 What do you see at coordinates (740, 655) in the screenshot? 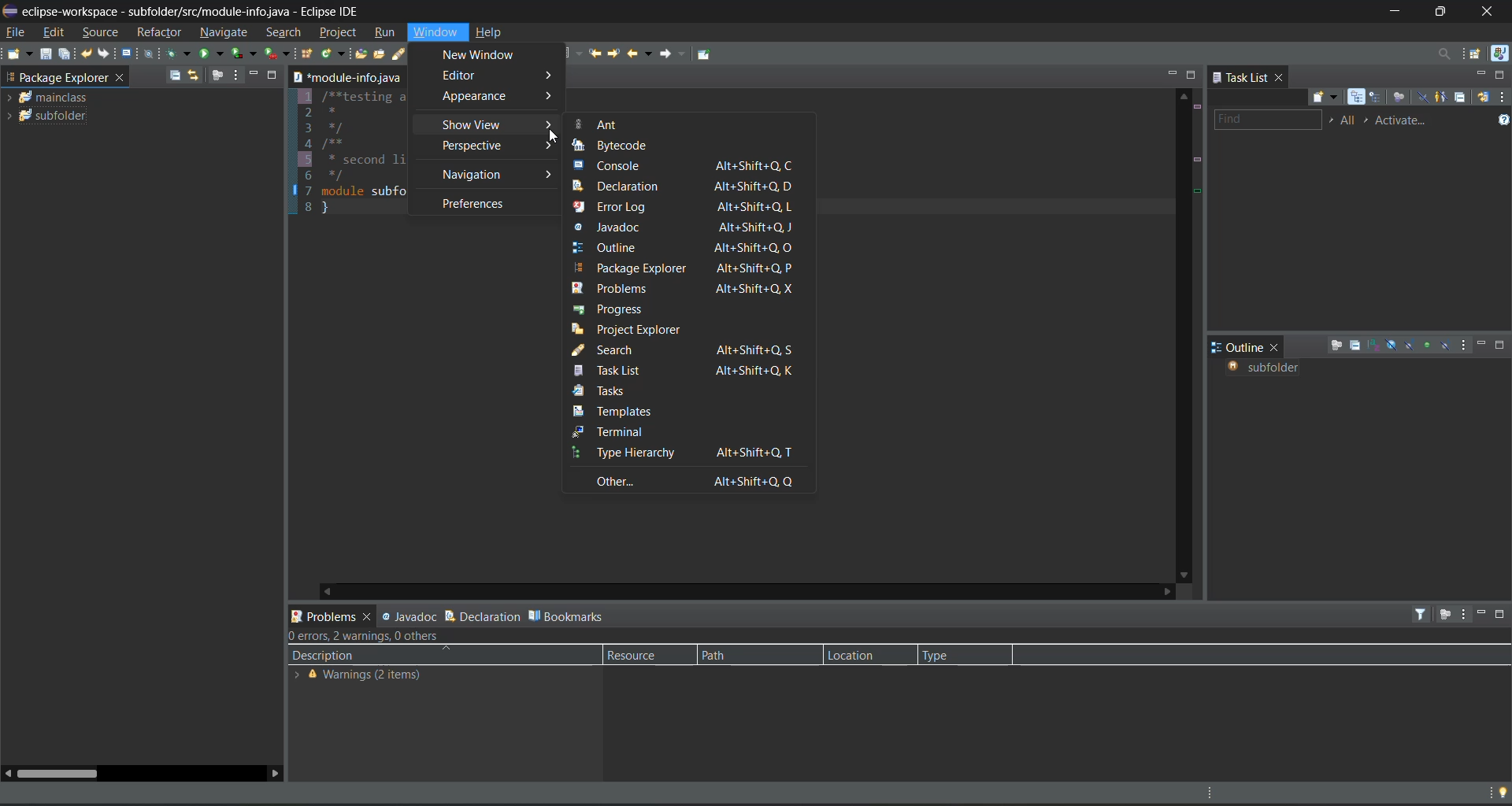
I see `path` at bounding box center [740, 655].